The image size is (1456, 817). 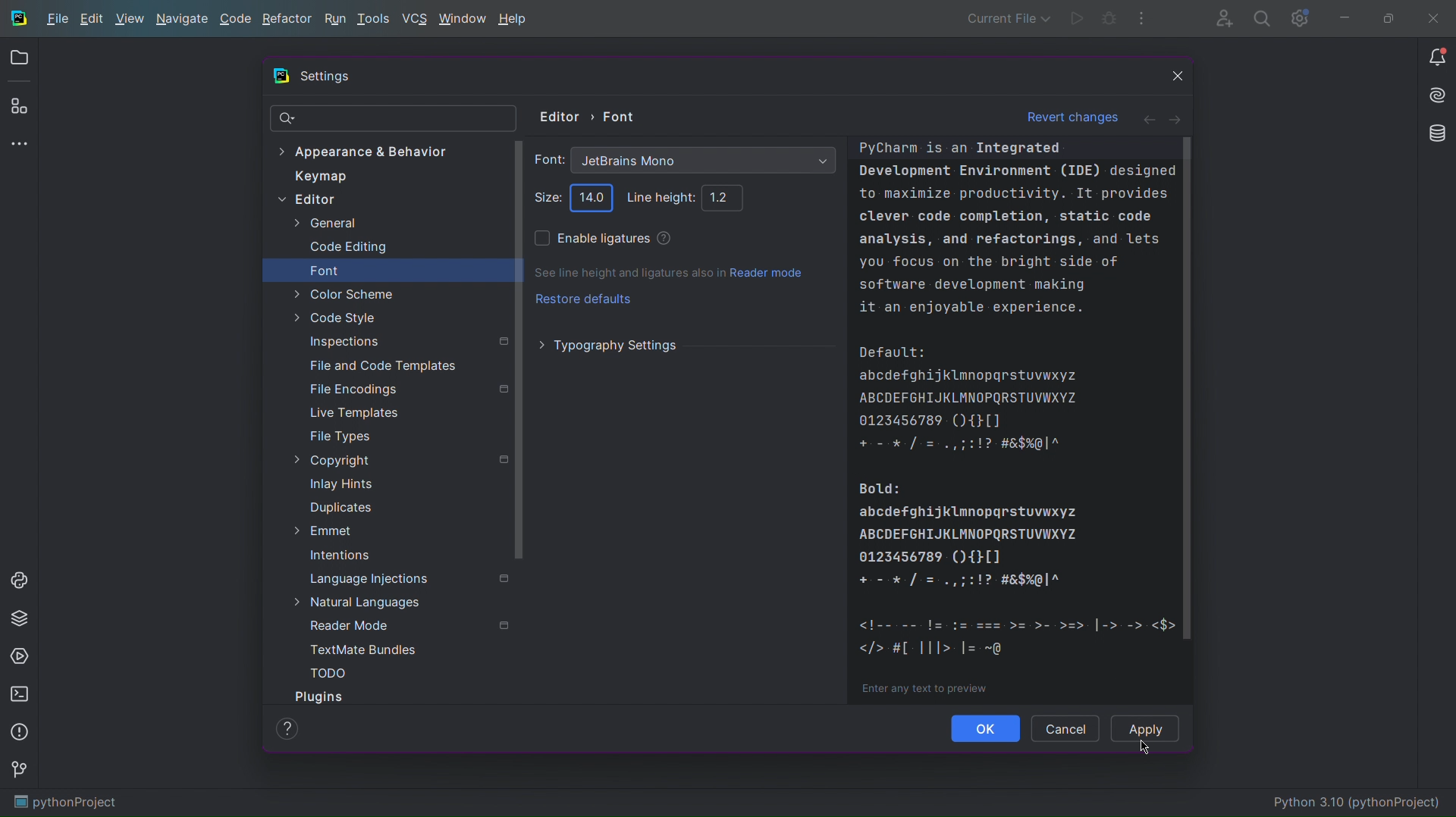 I want to click on Inspections, so click(x=406, y=339).